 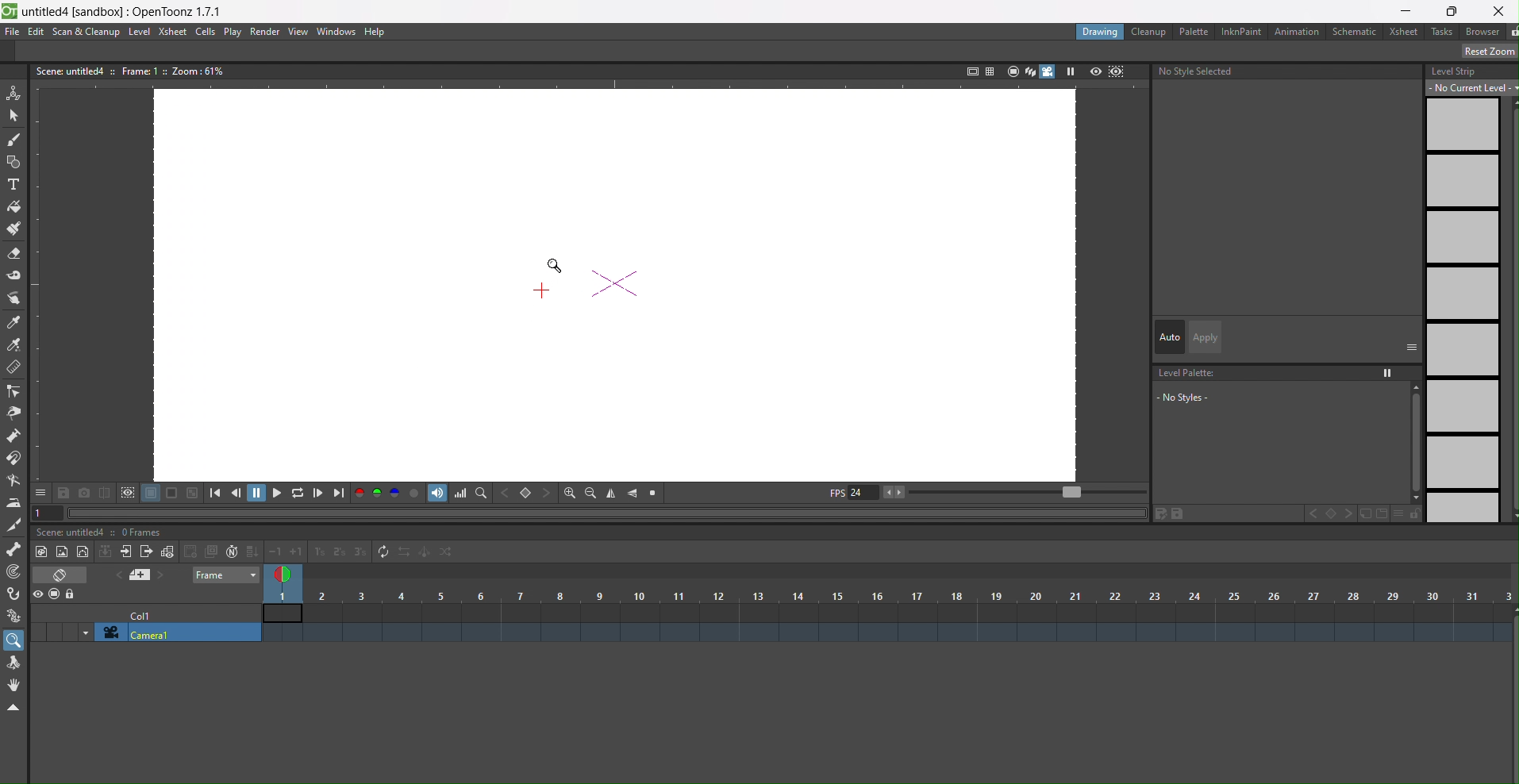 I want to click on bender tool, so click(x=17, y=480).